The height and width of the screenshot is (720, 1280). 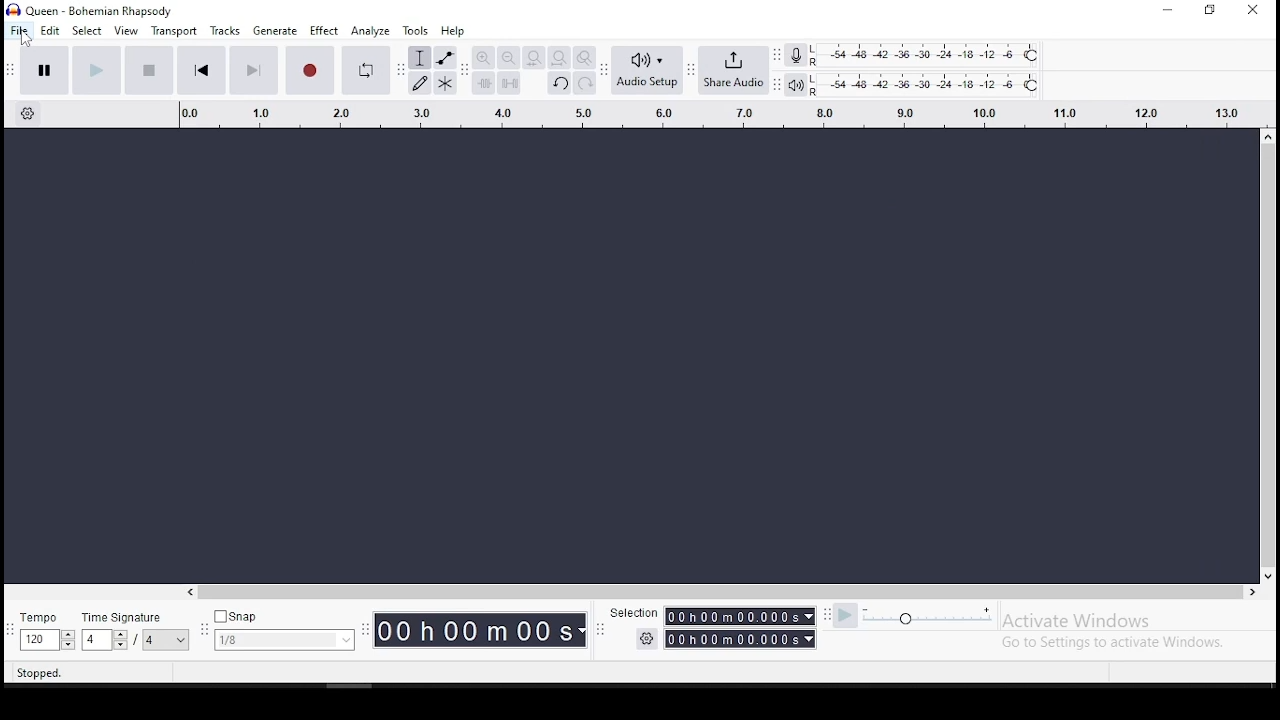 I want to click on silence selected audio, so click(x=510, y=84).